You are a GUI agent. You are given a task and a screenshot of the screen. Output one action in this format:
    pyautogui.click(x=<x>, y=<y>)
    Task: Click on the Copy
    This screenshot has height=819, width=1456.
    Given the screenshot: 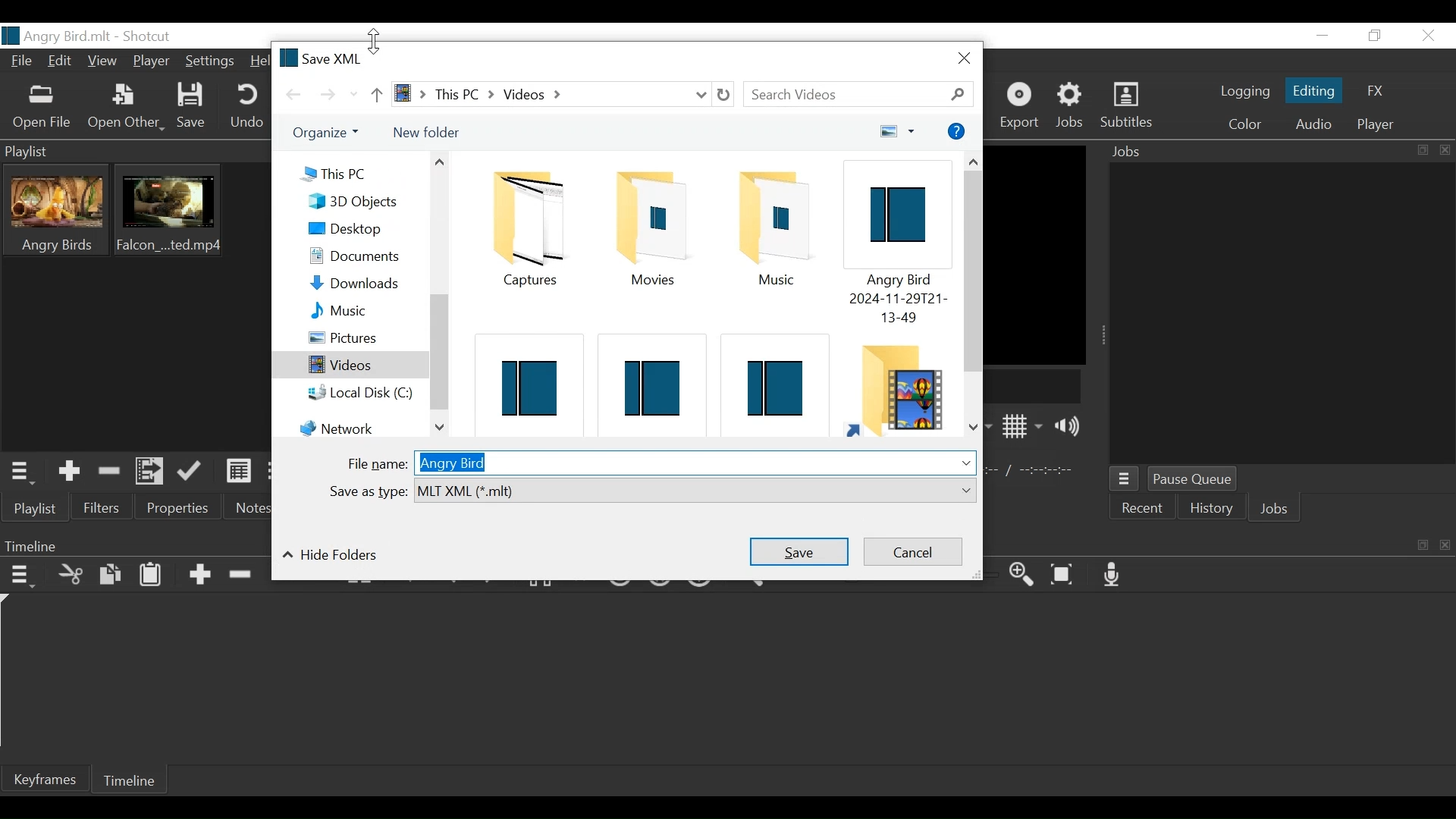 What is the action you would take?
    pyautogui.click(x=113, y=575)
    